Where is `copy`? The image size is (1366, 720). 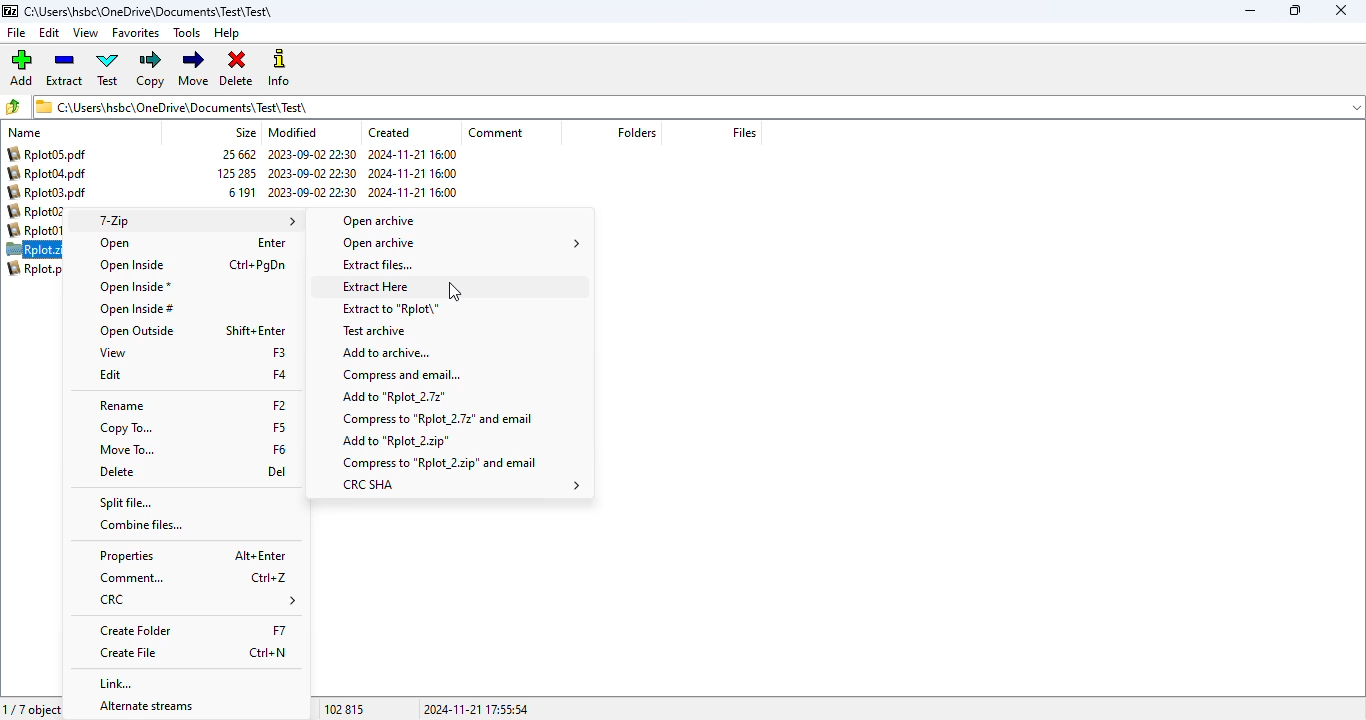 copy is located at coordinates (149, 69).